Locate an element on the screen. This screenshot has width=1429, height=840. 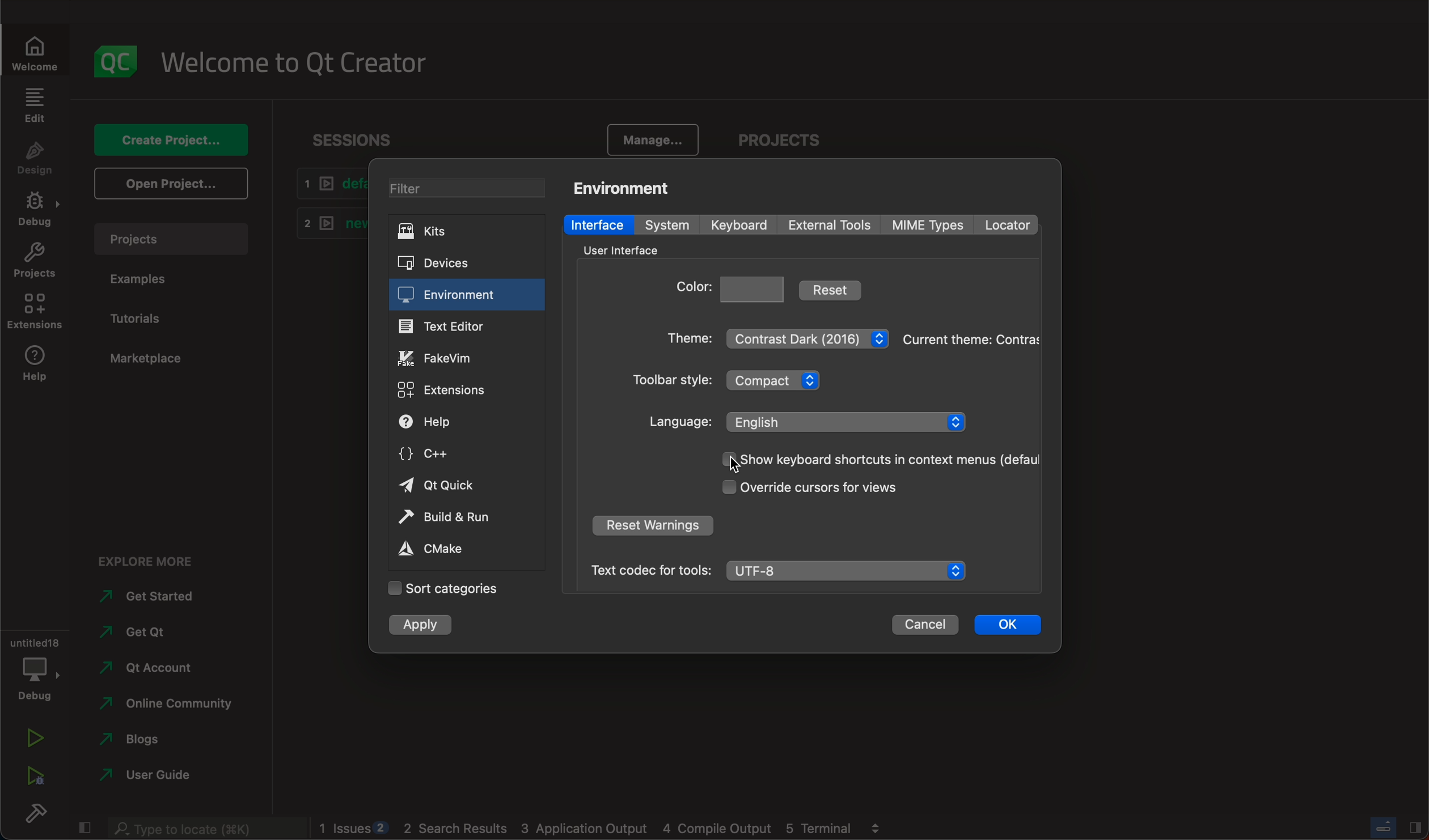
reser is located at coordinates (656, 525).